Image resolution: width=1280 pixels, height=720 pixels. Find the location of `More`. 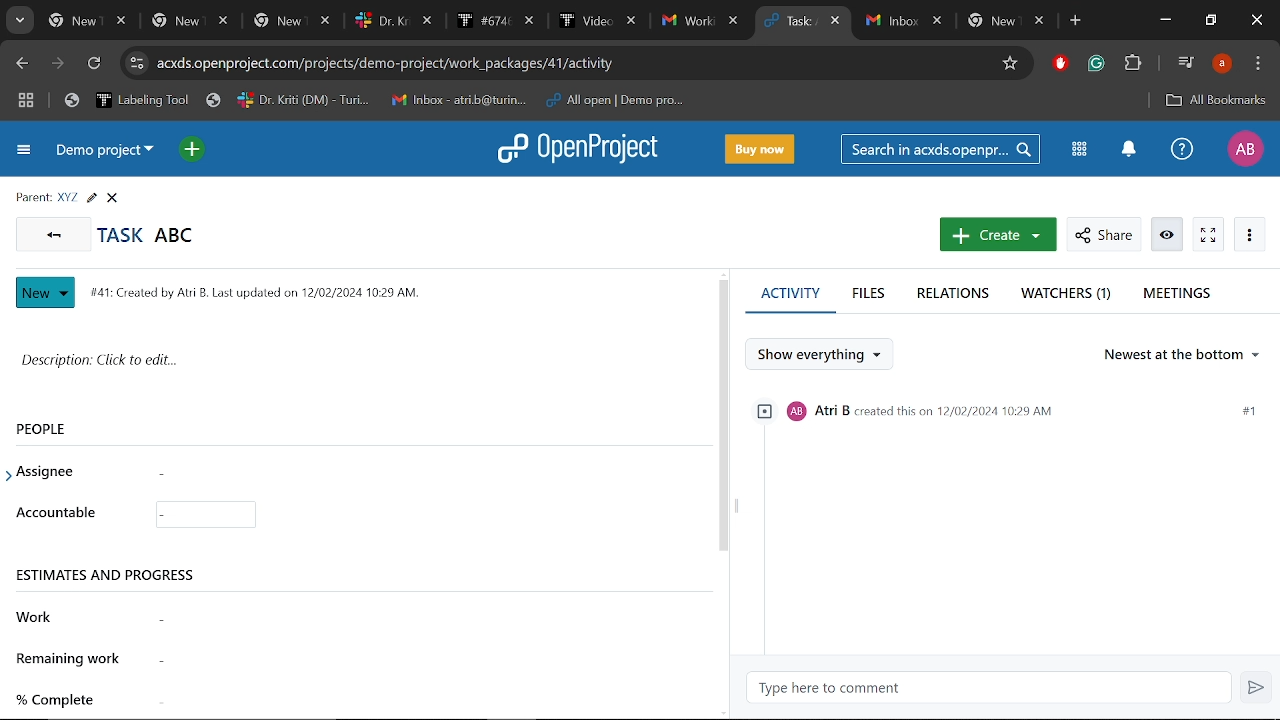

More is located at coordinates (1250, 233).